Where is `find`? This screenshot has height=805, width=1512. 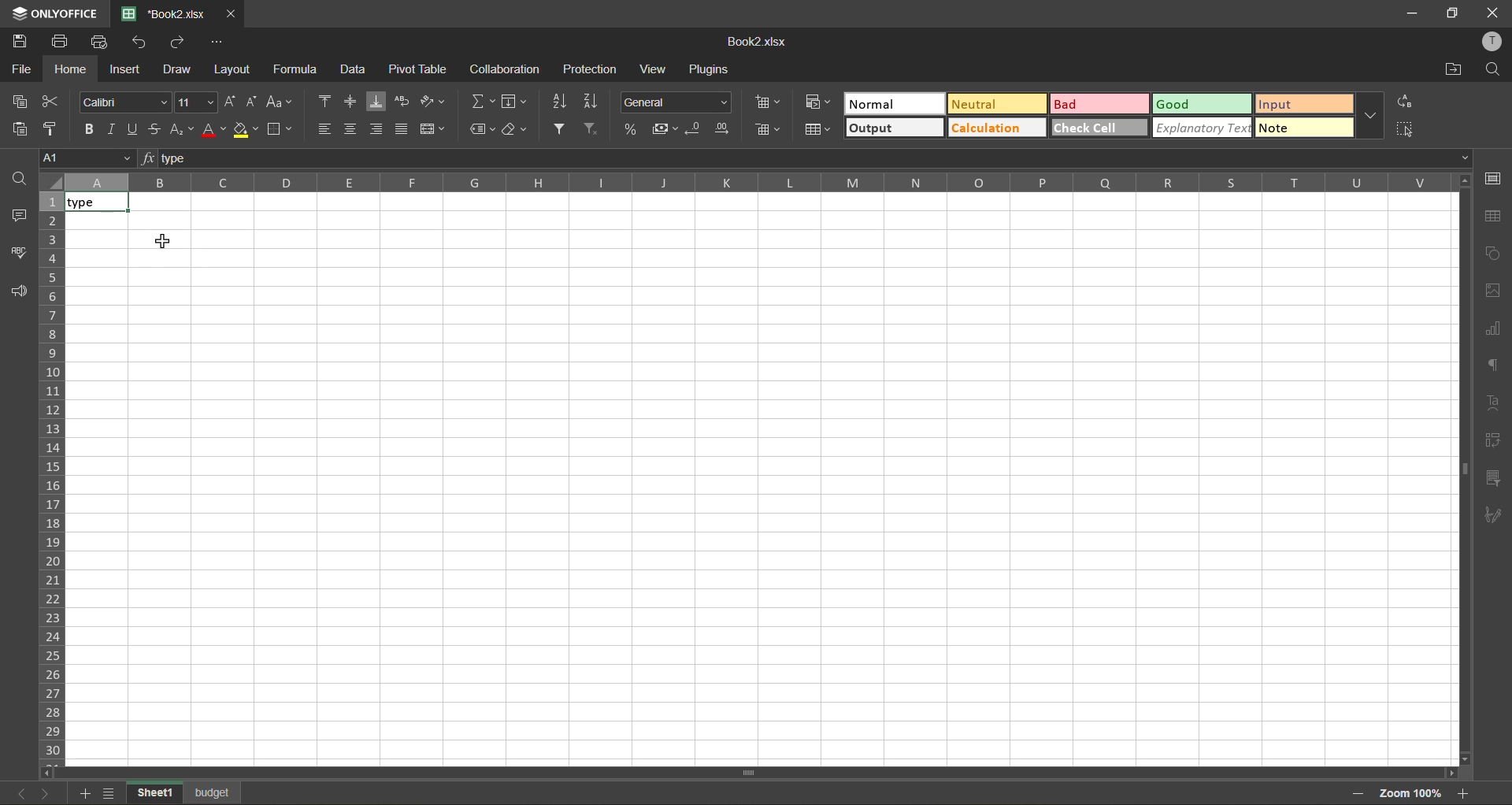 find is located at coordinates (1492, 70).